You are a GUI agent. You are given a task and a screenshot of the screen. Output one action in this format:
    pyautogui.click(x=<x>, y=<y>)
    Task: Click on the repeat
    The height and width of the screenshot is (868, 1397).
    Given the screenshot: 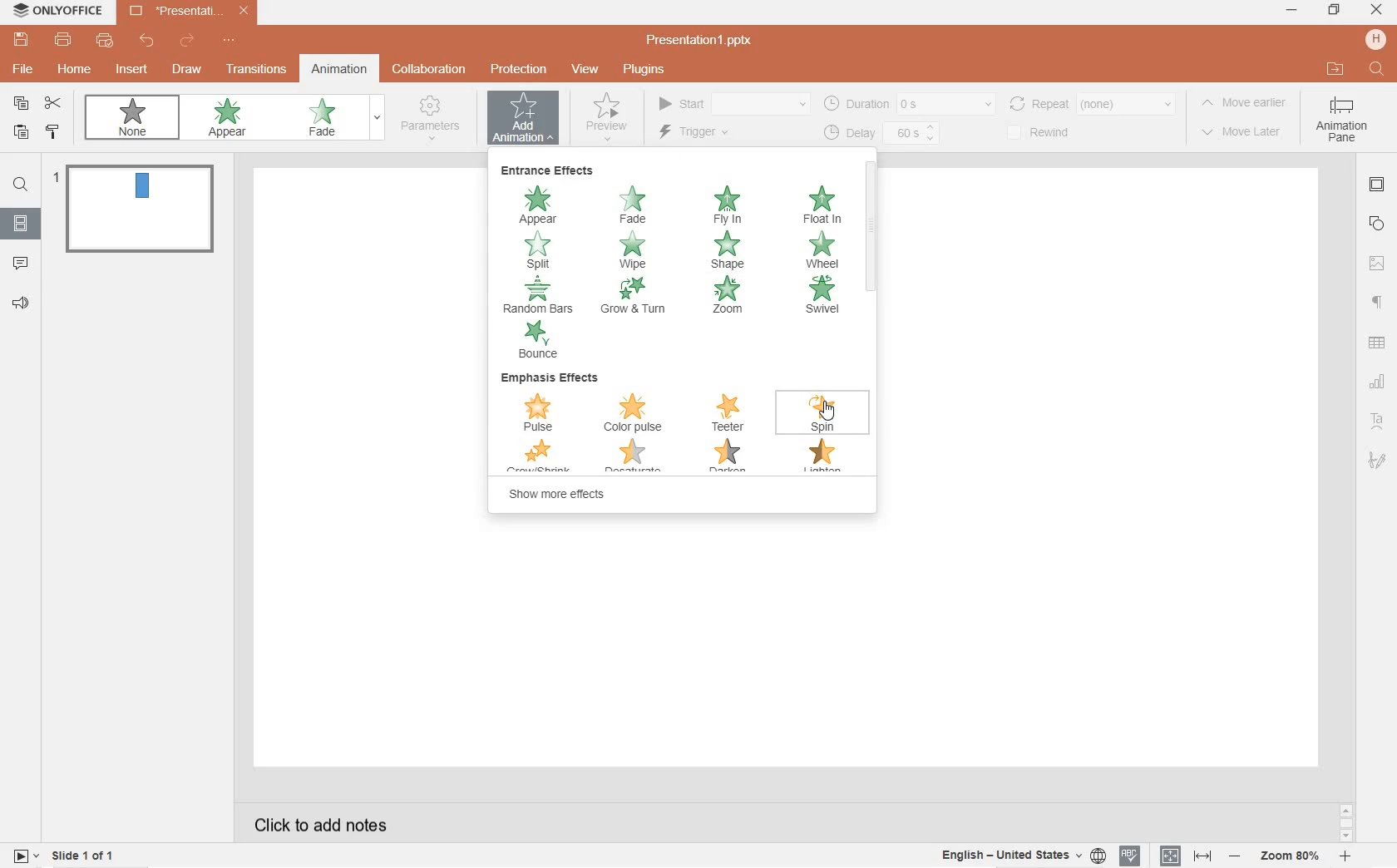 What is the action you would take?
    pyautogui.click(x=1095, y=103)
    